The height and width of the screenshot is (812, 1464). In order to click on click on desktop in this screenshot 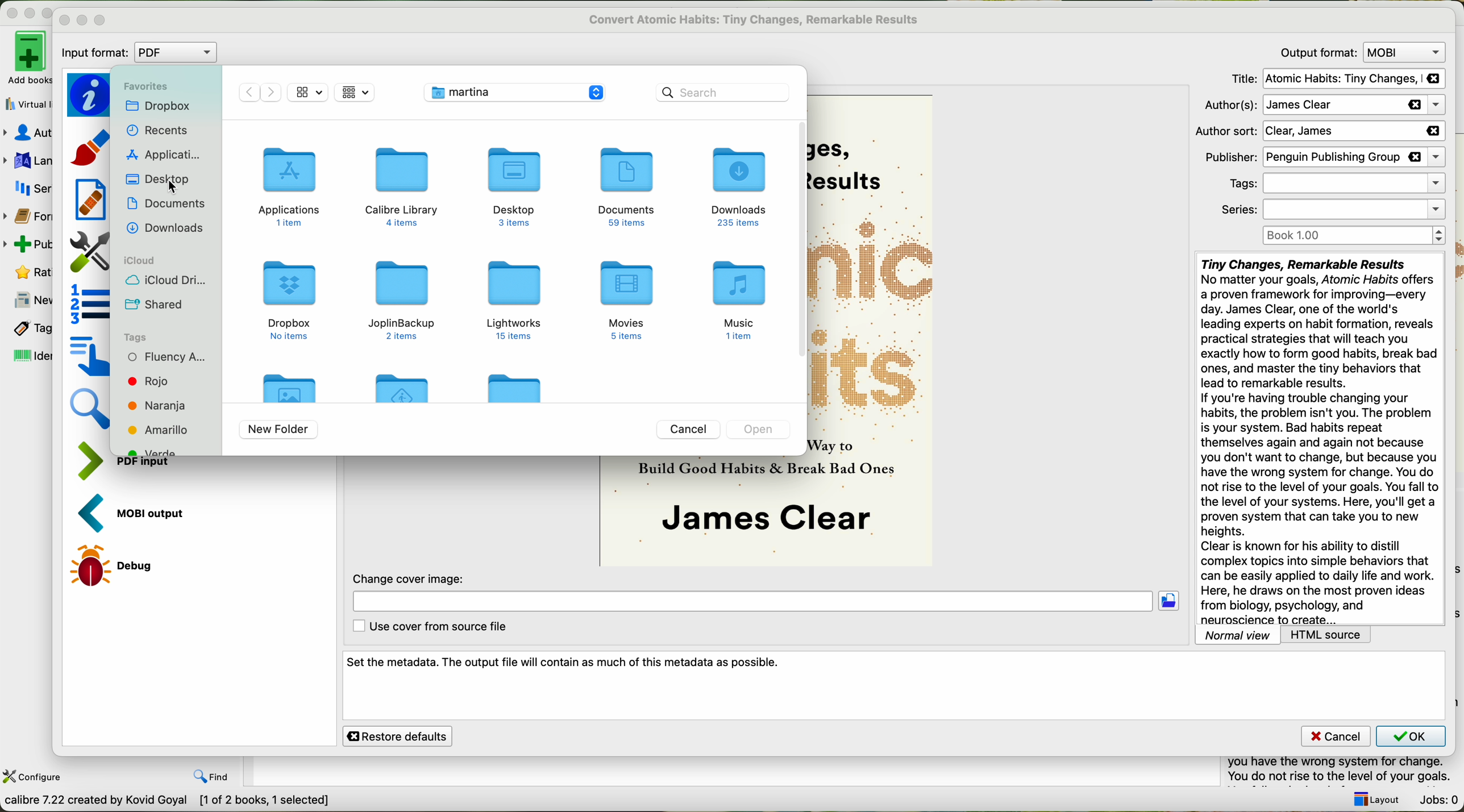, I will do `click(158, 180)`.